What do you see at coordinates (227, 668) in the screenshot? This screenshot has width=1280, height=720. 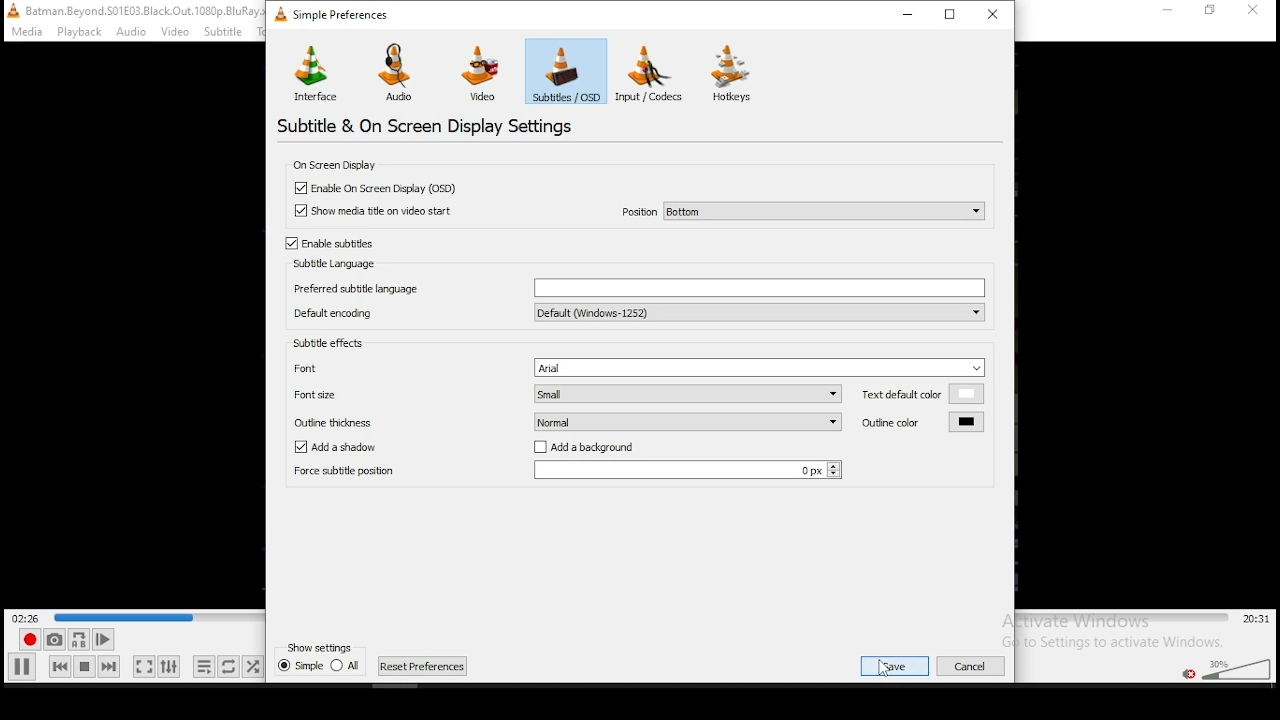 I see `click to select between loop all, loop one, and no loop` at bounding box center [227, 668].